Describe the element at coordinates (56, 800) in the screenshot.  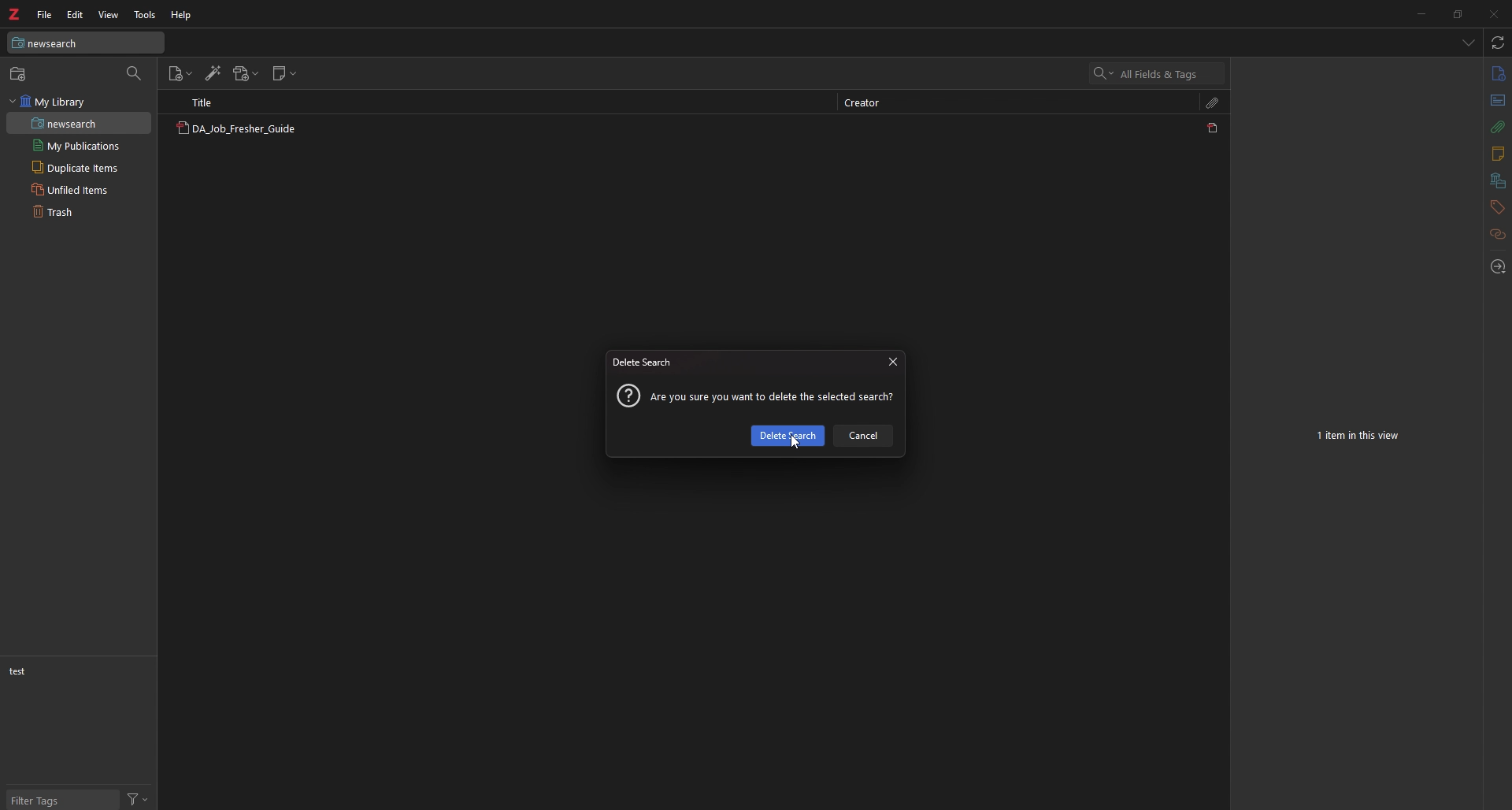
I see `Filter Tags` at that location.